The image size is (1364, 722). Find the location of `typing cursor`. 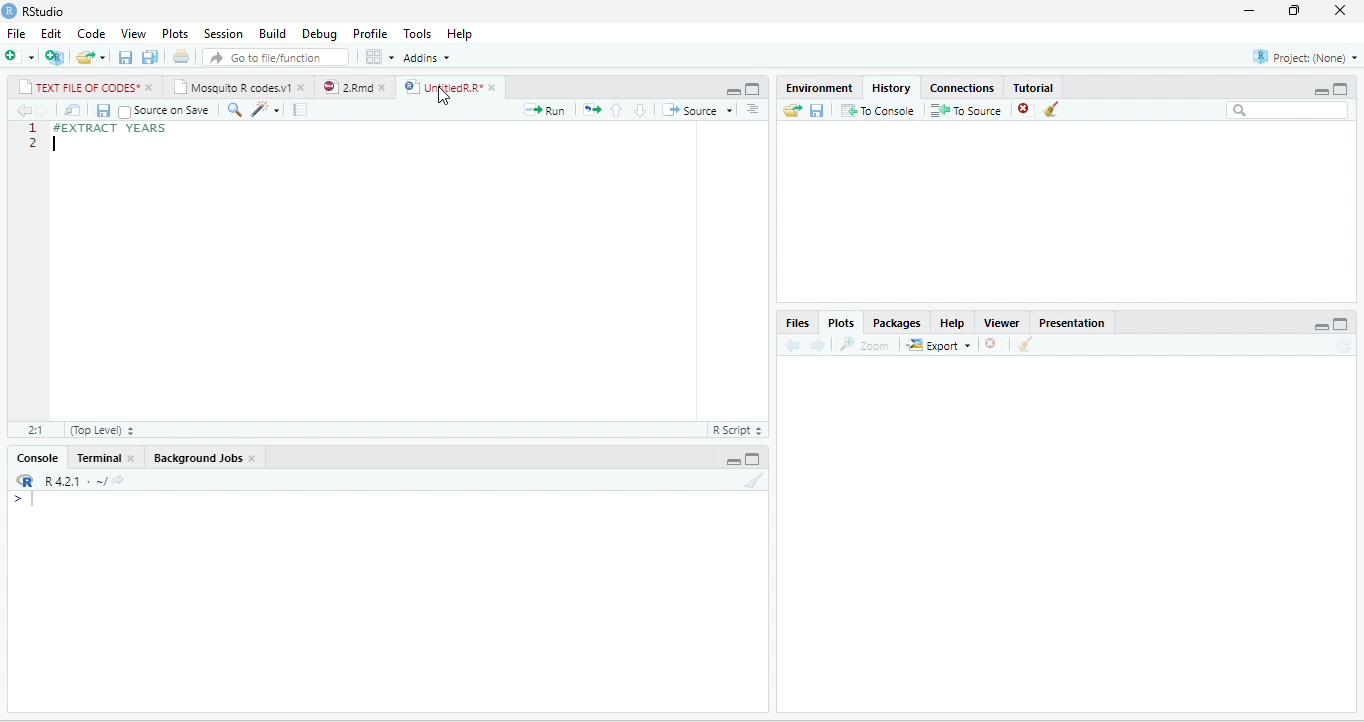

typing cursor is located at coordinates (58, 144).